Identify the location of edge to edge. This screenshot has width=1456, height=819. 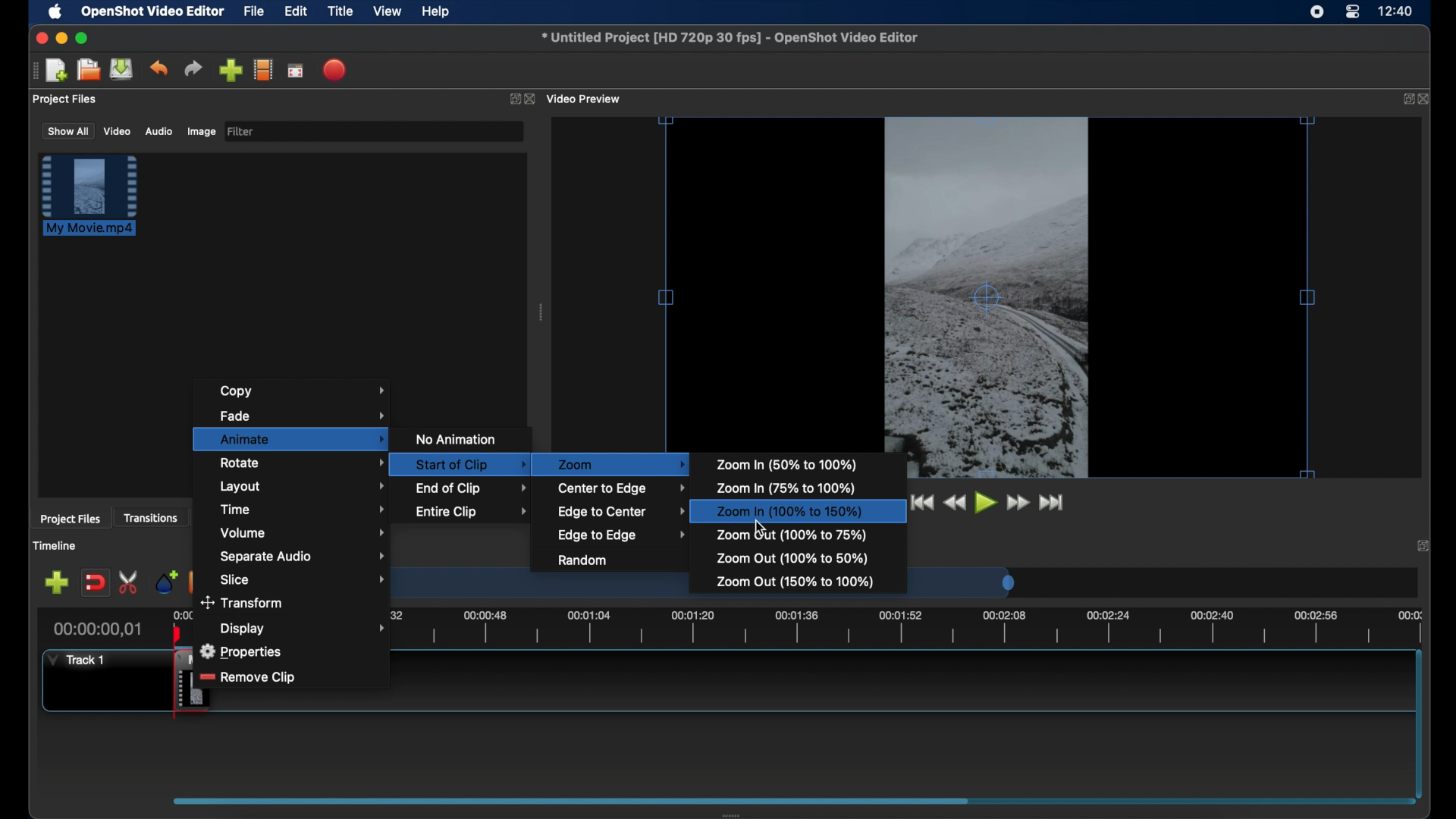
(622, 535).